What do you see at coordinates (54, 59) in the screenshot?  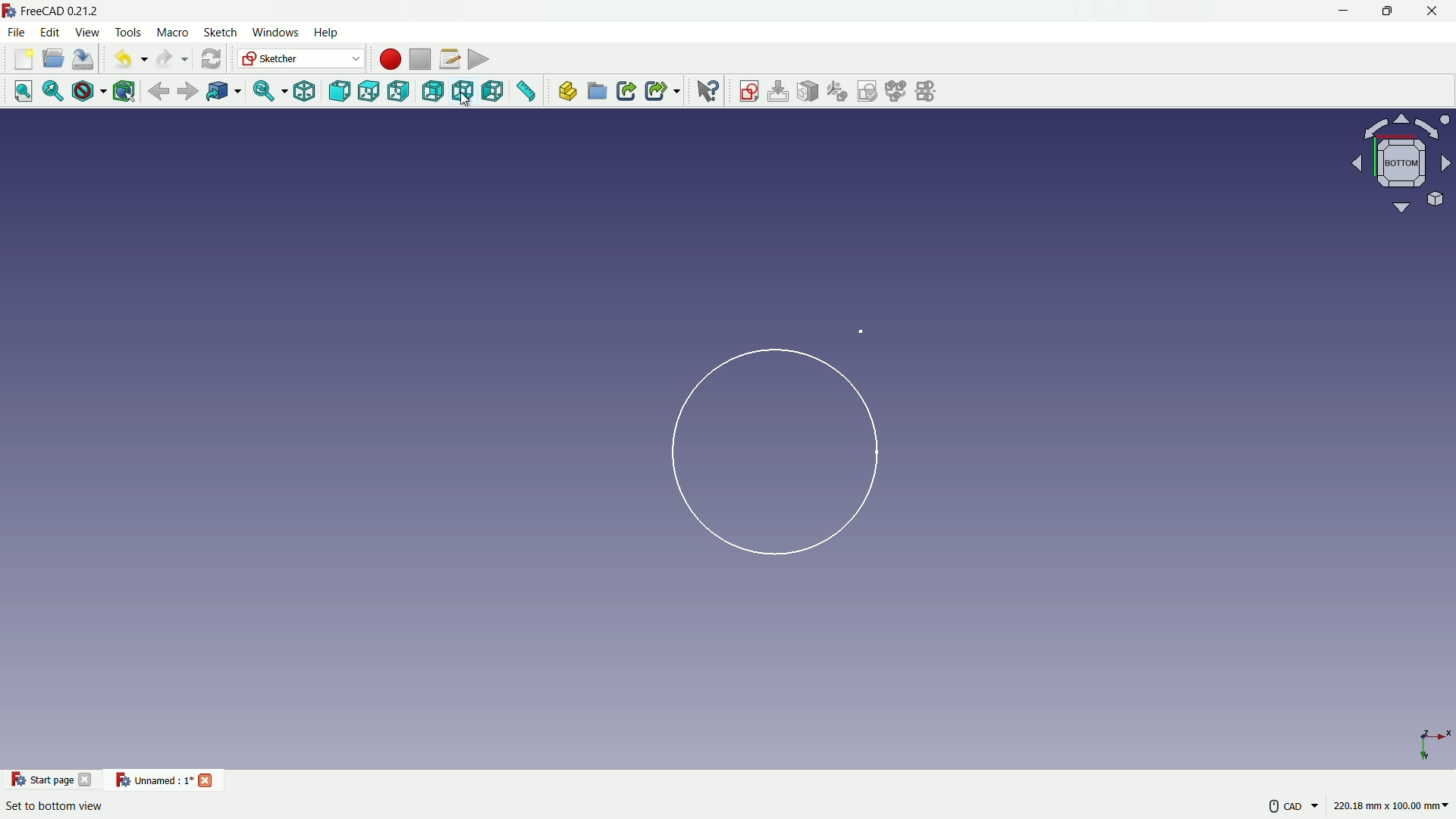 I see `open file` at bounding box center [54, 59].